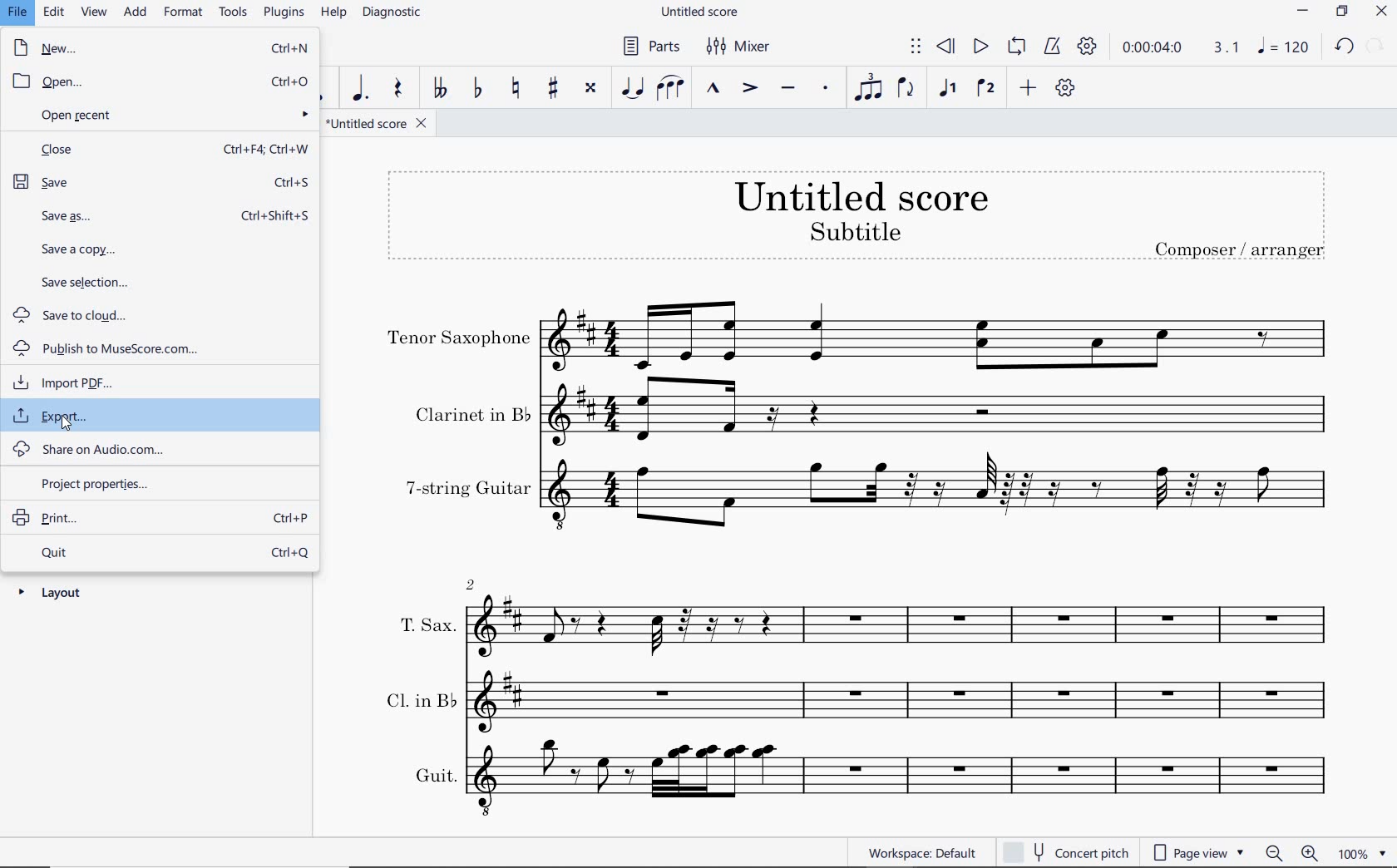 The image size is (1397, 868). Describe the element at coordinates (160, 81) in the screenshot. I see `open` at that location.